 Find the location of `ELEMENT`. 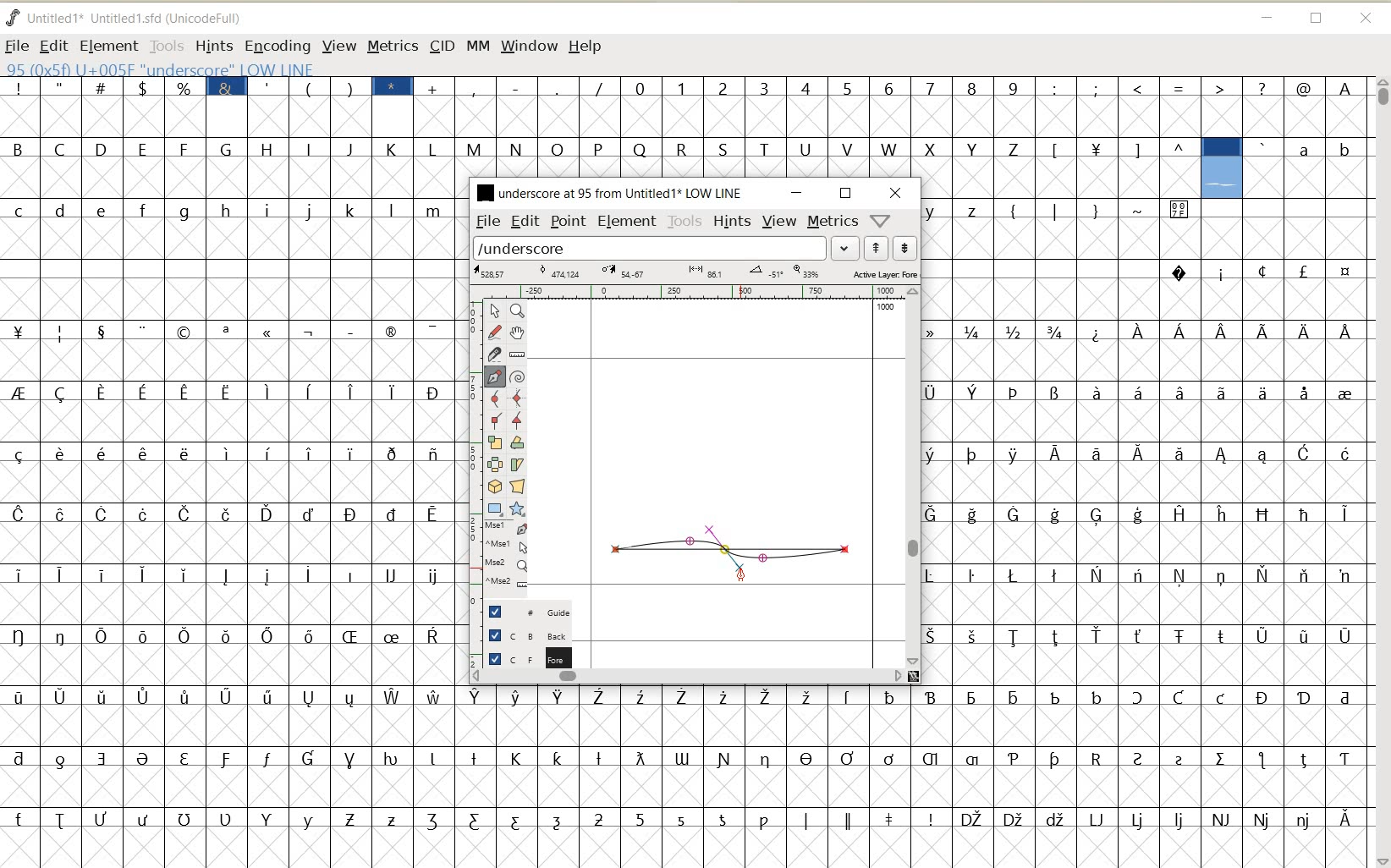

ELEMENT is located at coordinates (108, 47).